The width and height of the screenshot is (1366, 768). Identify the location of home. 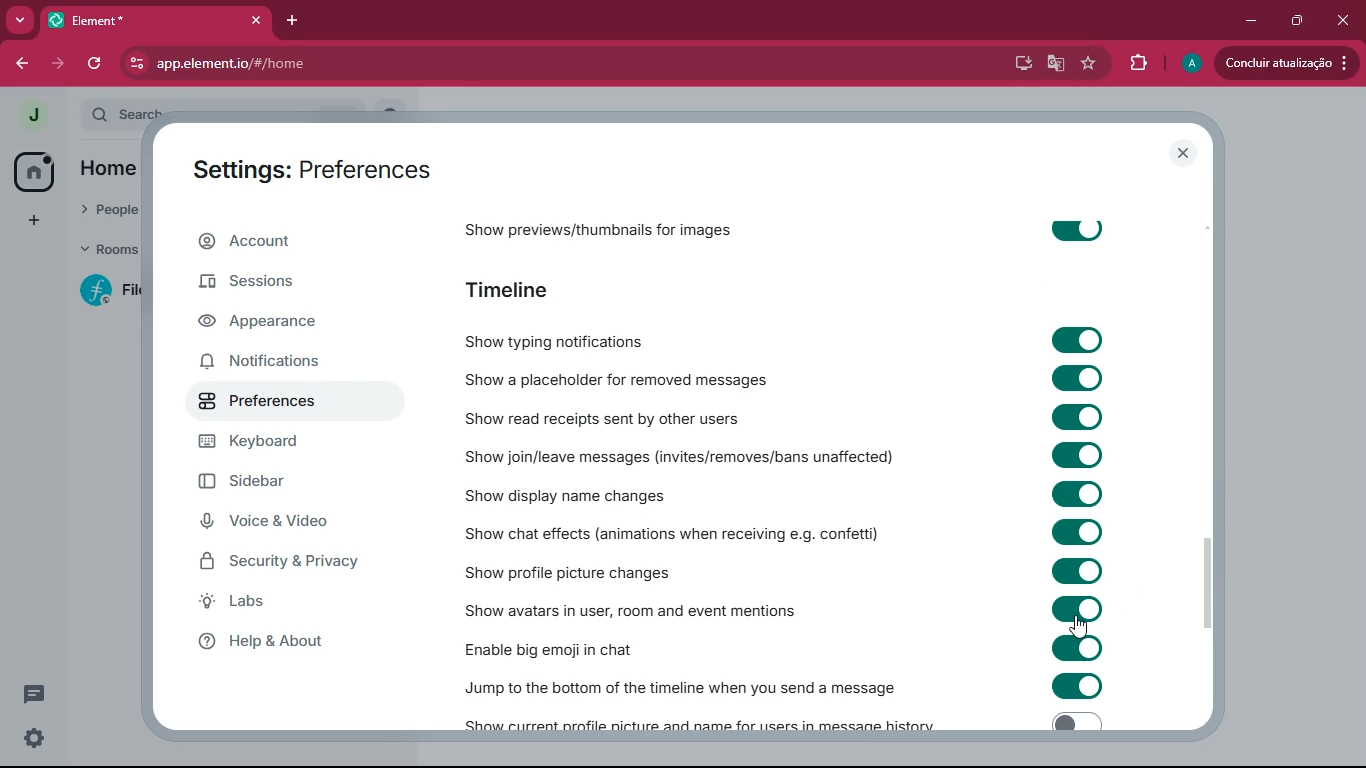
(117, 167).